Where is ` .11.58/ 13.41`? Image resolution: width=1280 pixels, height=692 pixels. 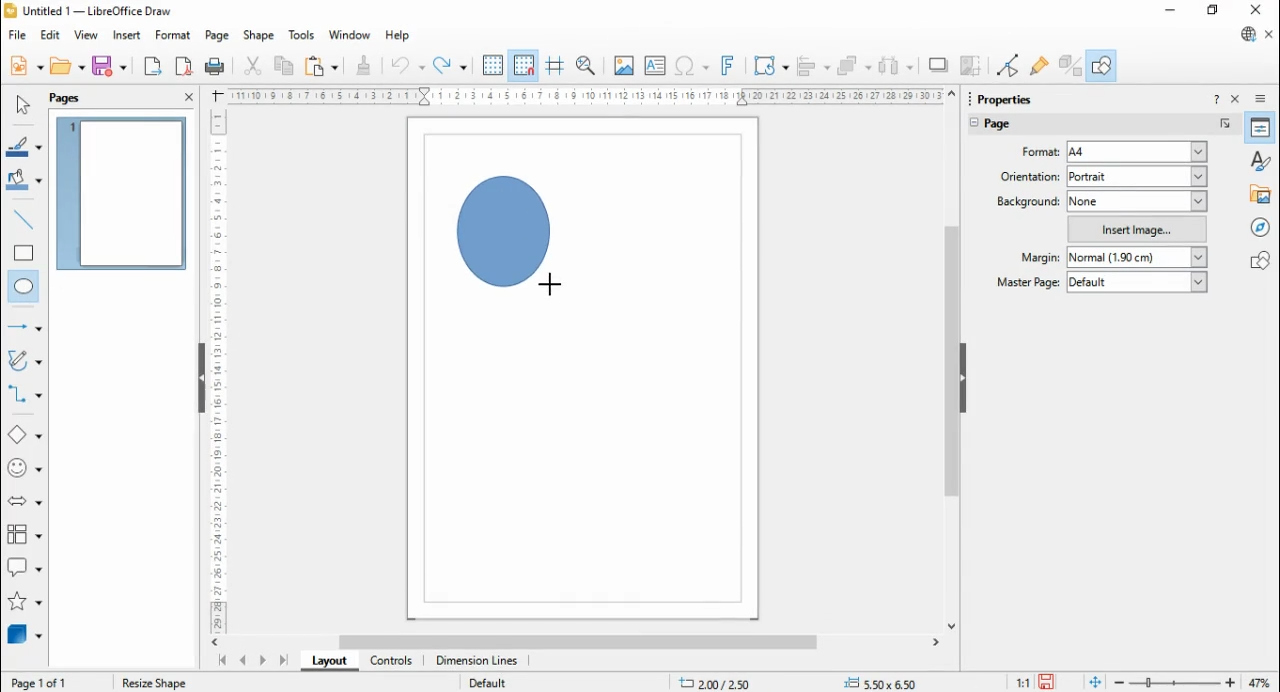  .11.58/ 13.41 is located at coordinates (719, 682).